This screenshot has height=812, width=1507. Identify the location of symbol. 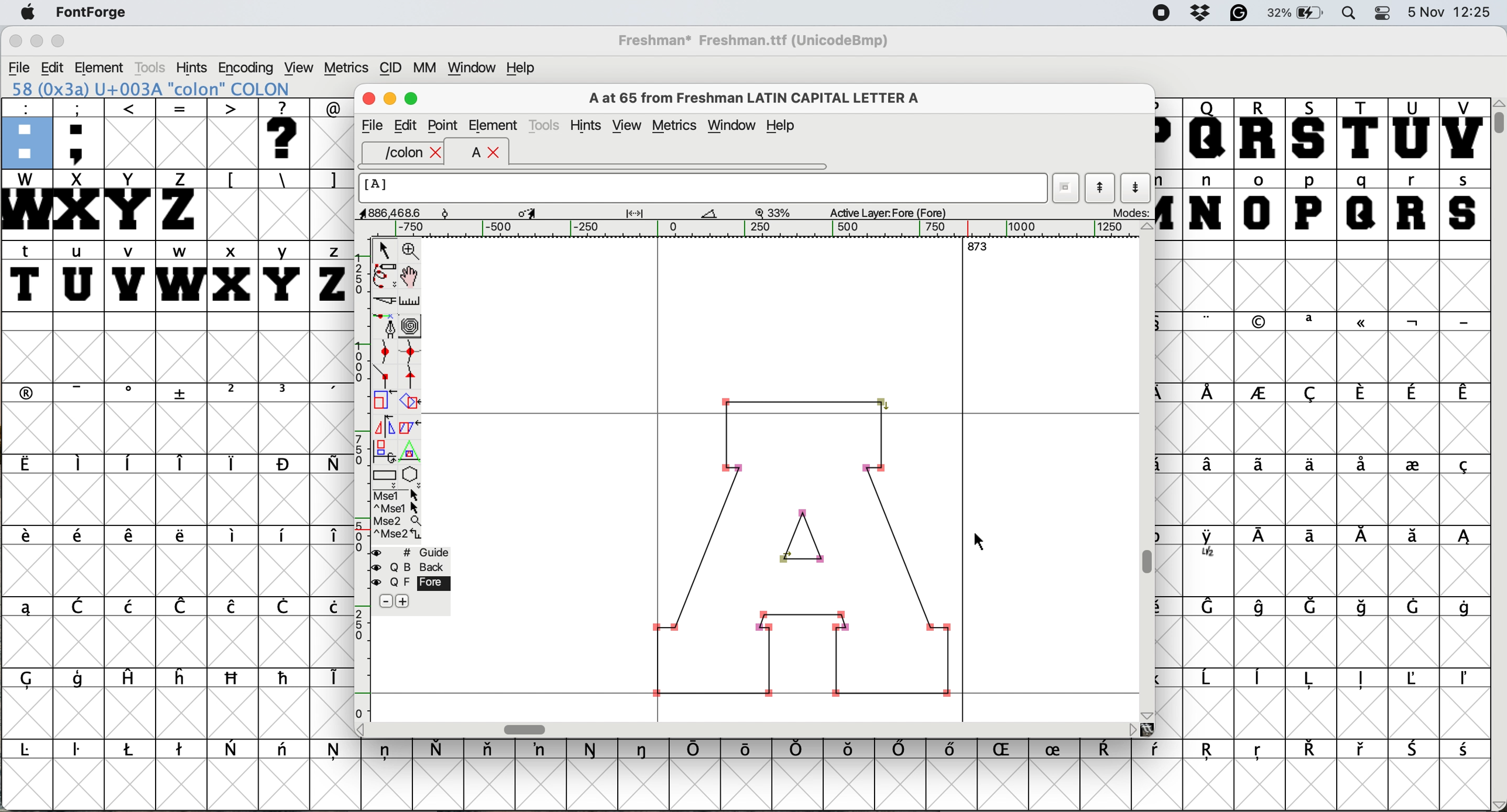
(1309, 749).